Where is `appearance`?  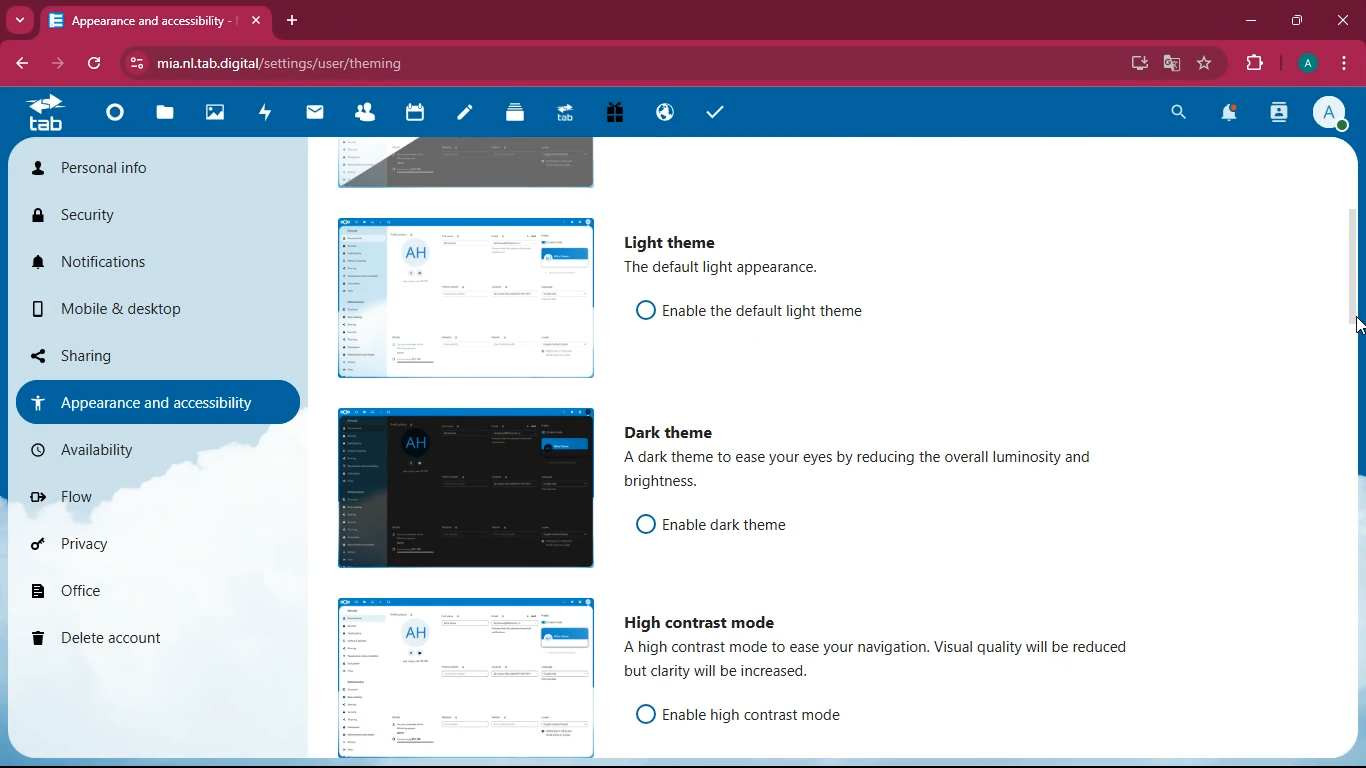 appearance is located at coordinates (146, 401).